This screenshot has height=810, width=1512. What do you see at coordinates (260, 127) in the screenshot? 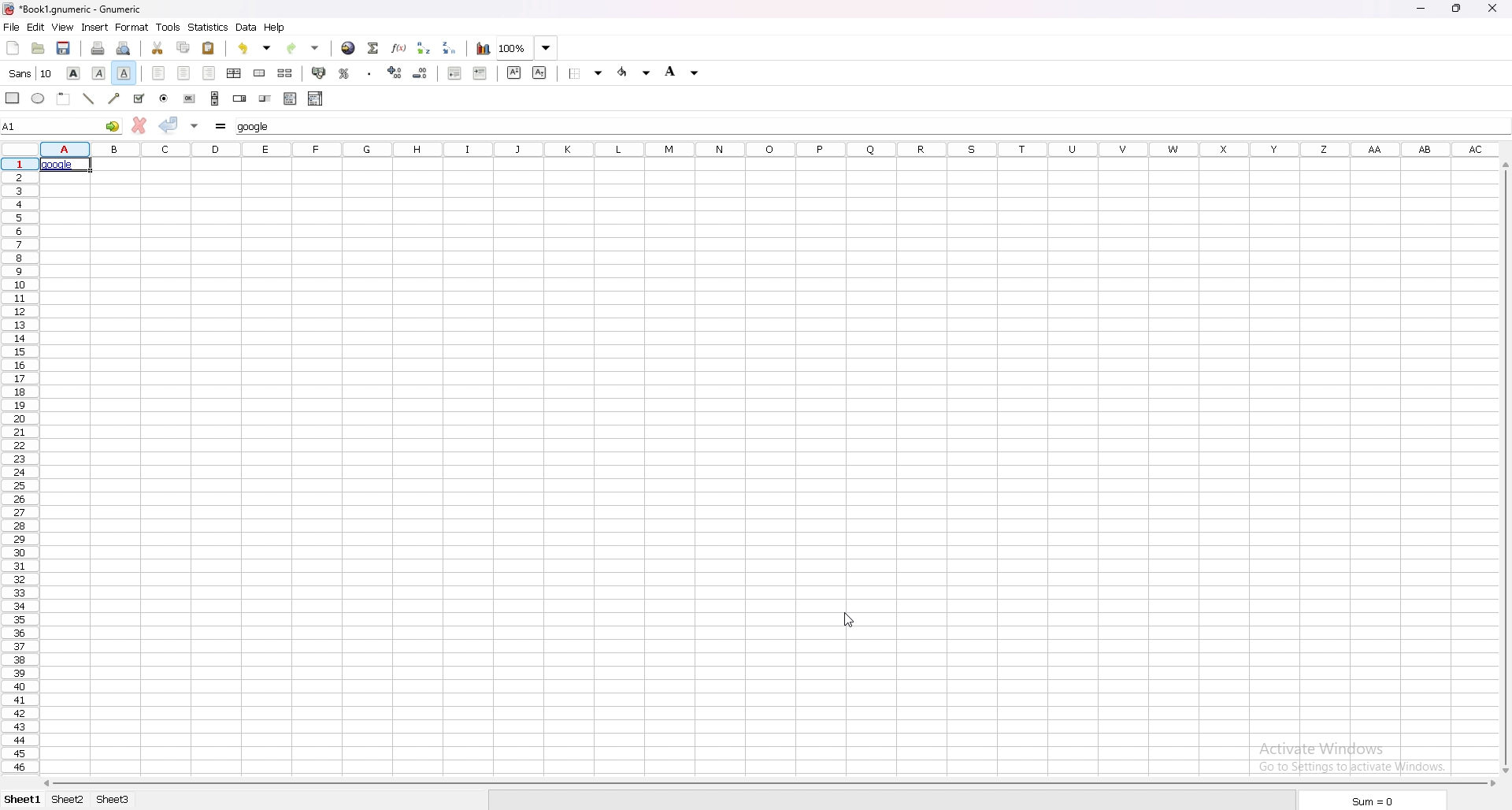
I see `cell input` at bounding box center [260, 127].